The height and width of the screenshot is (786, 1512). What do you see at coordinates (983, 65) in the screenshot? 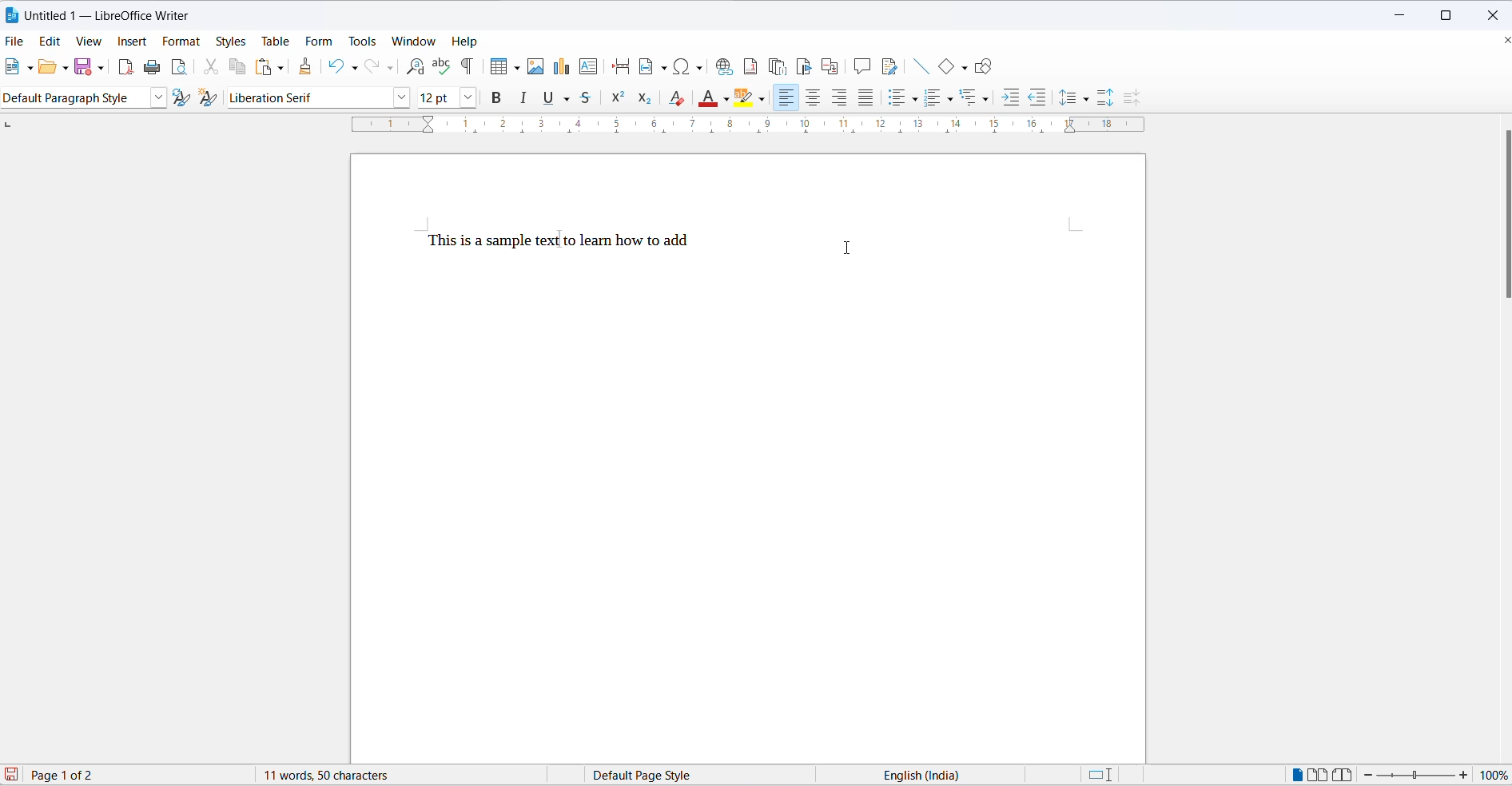
I see `draw functions` at bounding box center [983, 65].